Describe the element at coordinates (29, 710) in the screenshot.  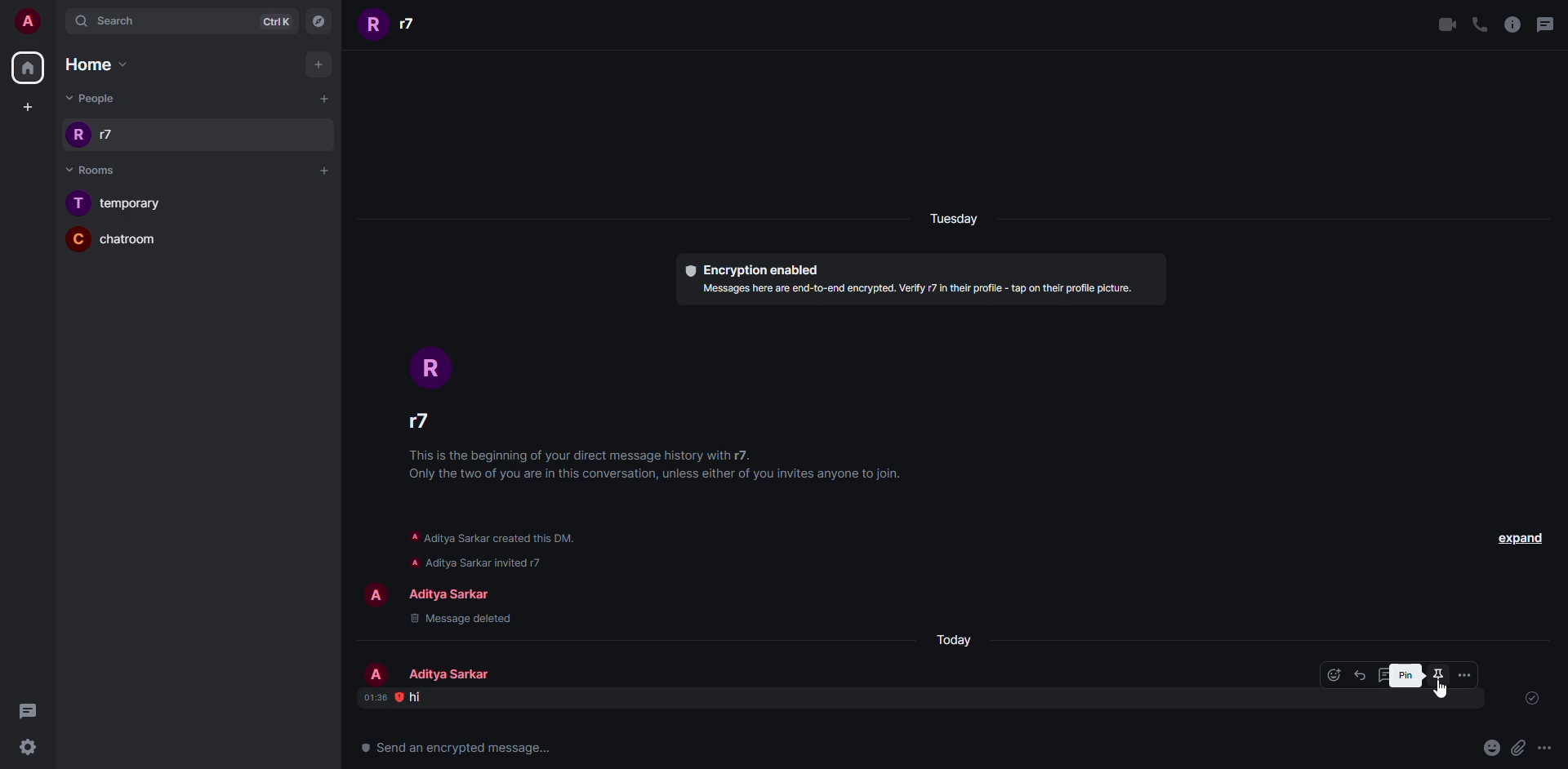
I see `threads` at that location.